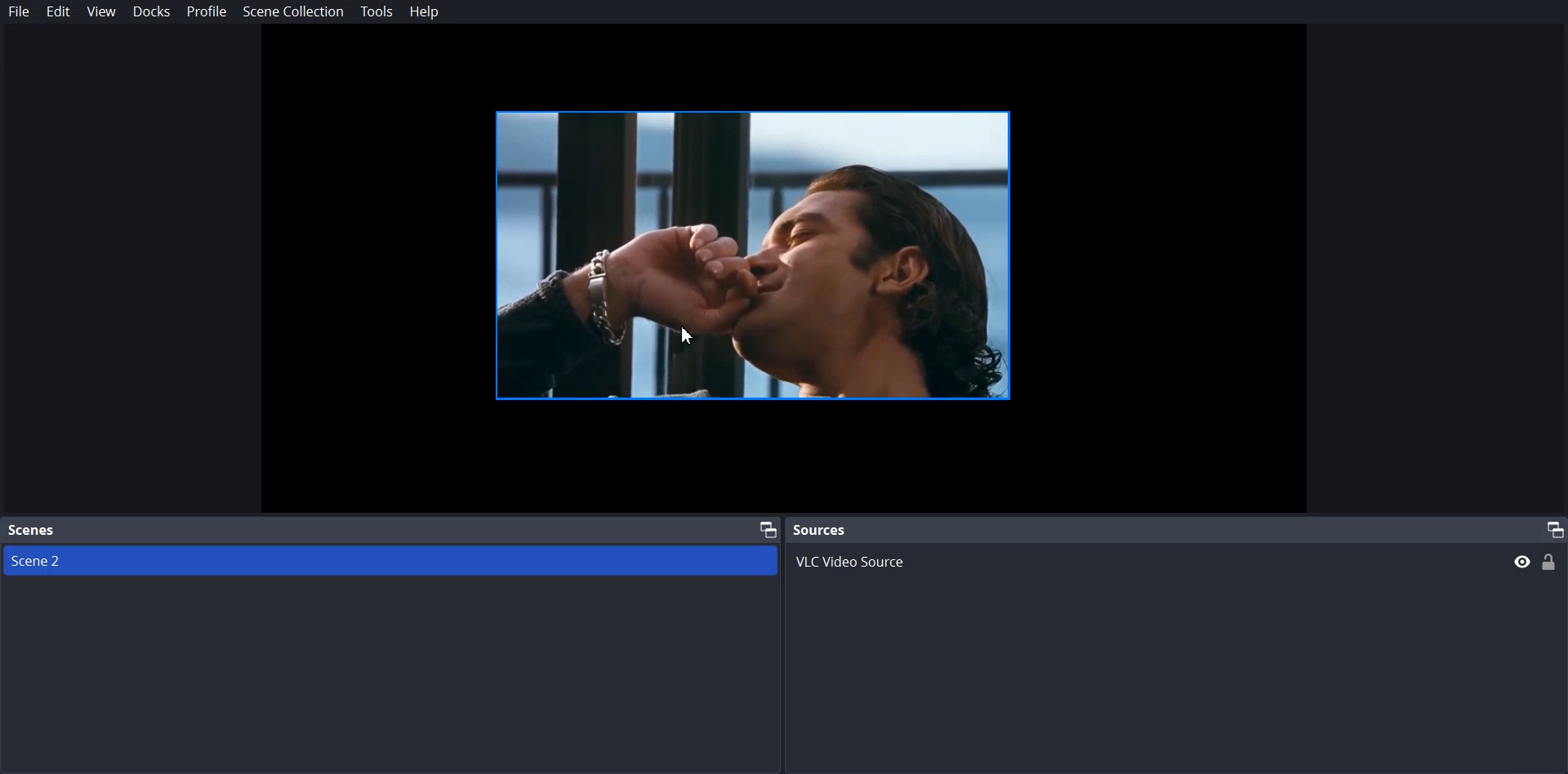  Describe the element at coordinates (151, 12) in the screenshot. I see `Docks` at that location.